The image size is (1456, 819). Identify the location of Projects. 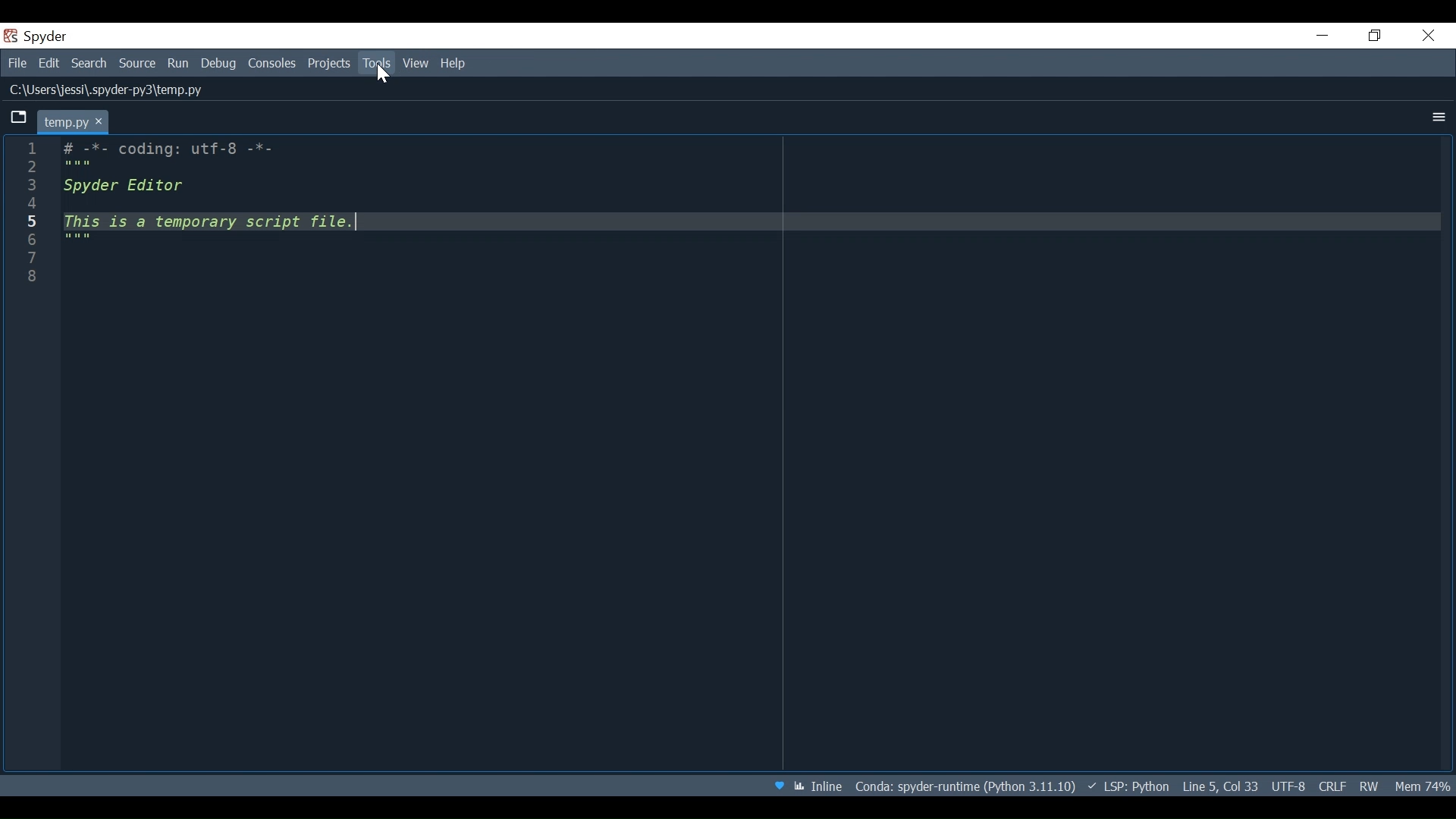
(328, 64).